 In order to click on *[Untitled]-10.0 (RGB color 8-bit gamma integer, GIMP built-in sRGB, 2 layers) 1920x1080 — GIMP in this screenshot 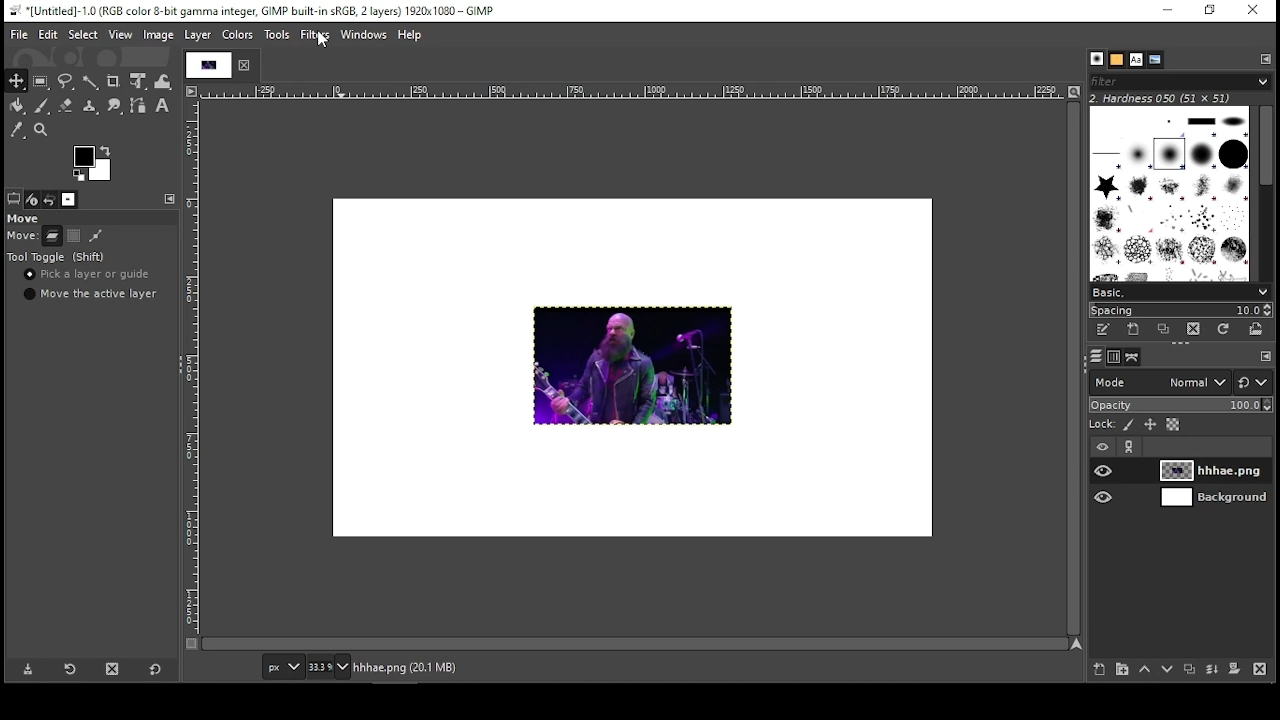, I will do `click(253, 10)`.